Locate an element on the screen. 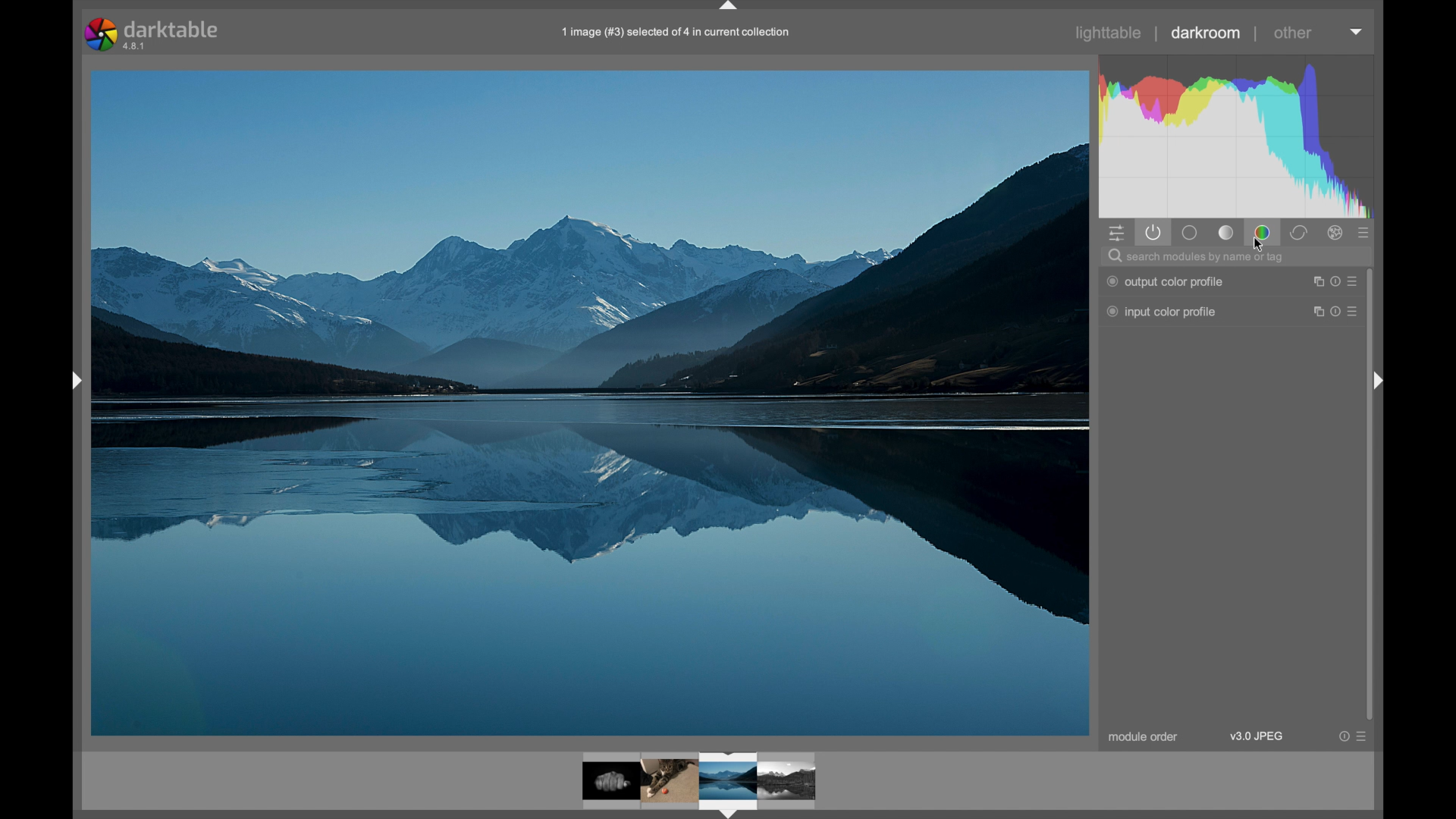 The height and width of the screenshot is (819, 1456). histogram is located at coordinates (1234, 136).